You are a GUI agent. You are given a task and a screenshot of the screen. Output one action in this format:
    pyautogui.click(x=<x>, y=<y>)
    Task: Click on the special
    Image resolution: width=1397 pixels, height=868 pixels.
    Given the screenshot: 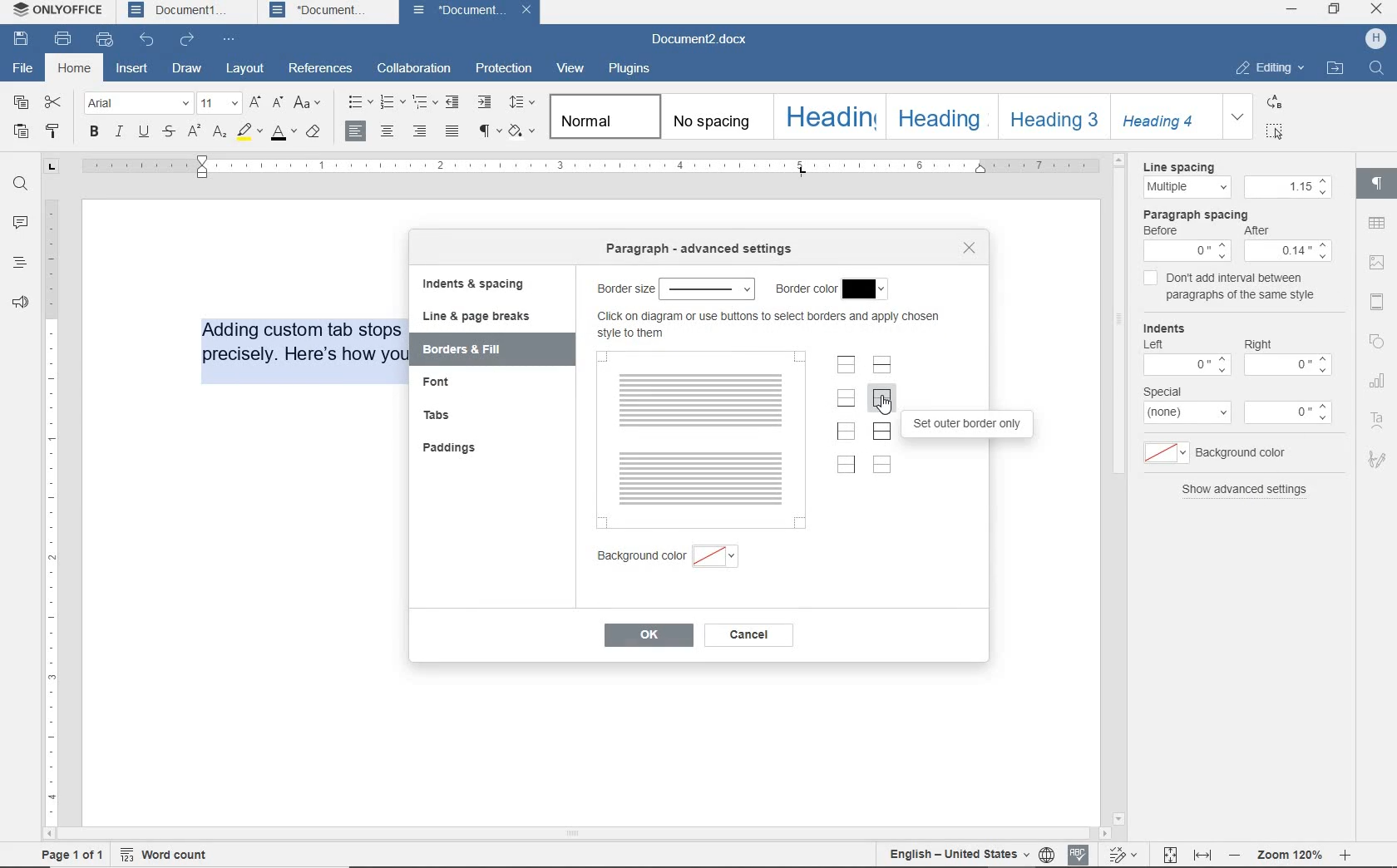 What is the action you would take?
    pyautogui.click(x=1169, y=391)
    